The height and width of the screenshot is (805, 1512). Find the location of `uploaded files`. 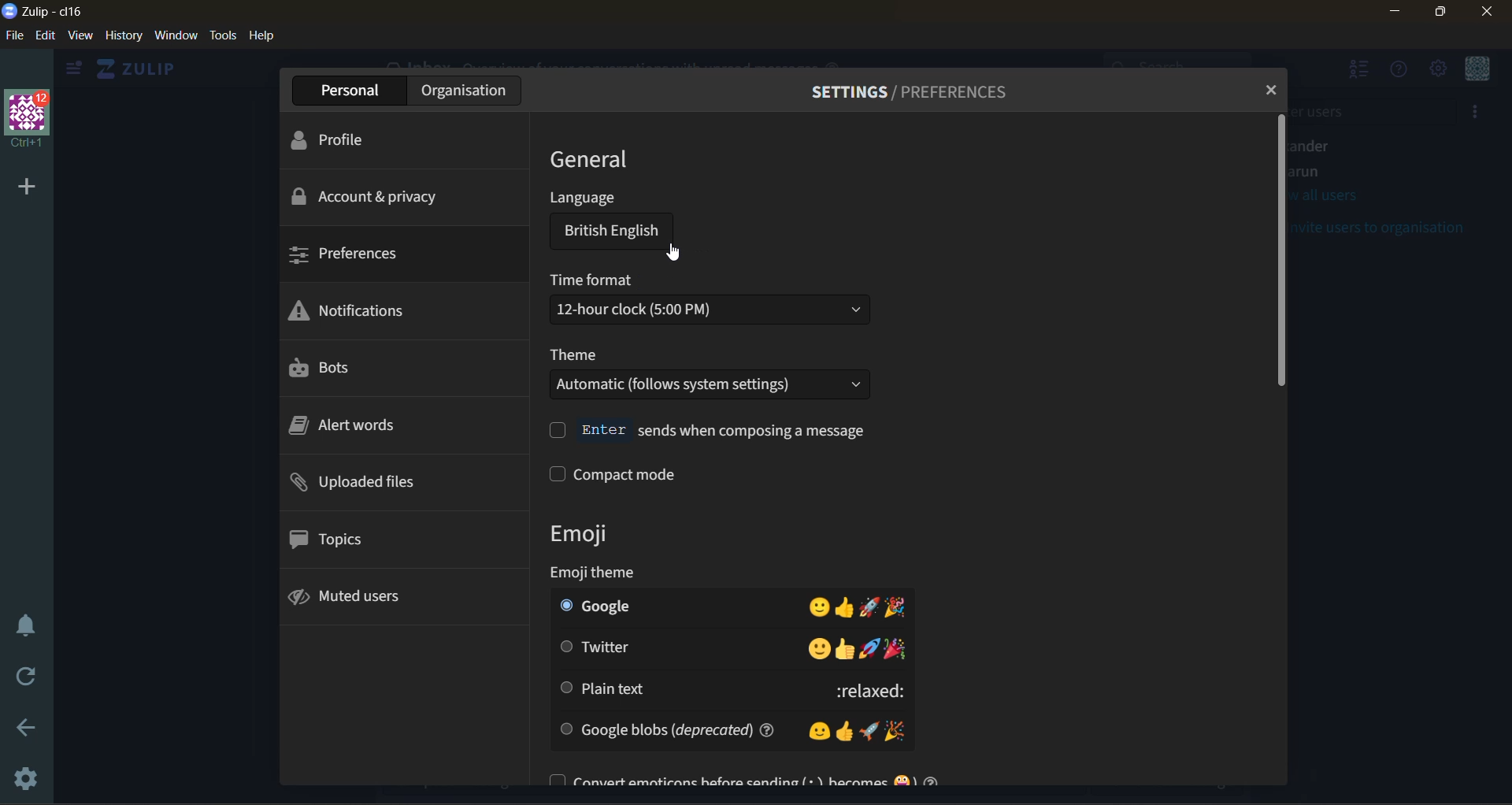

uploaded files is located at coordinates (372, 484).